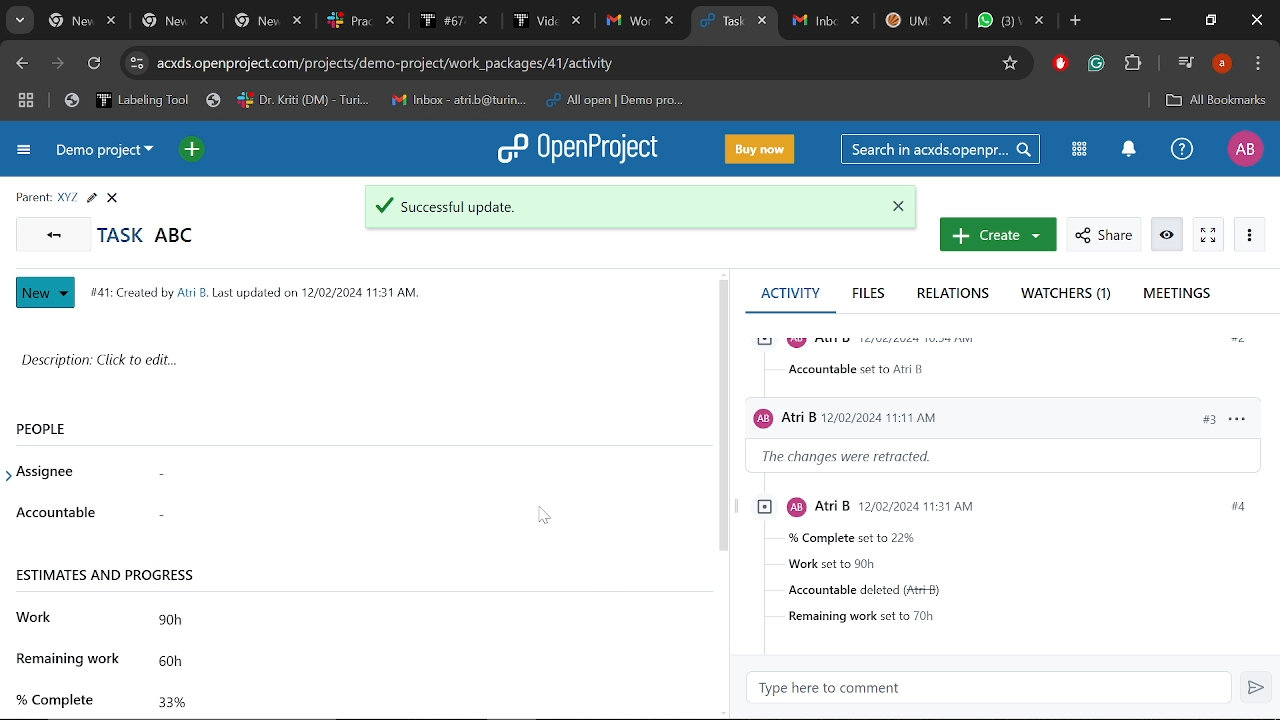  What do you see at coordinates (942, 414) in the screenshot?
I see `Users` at bounding box center [942, 414].